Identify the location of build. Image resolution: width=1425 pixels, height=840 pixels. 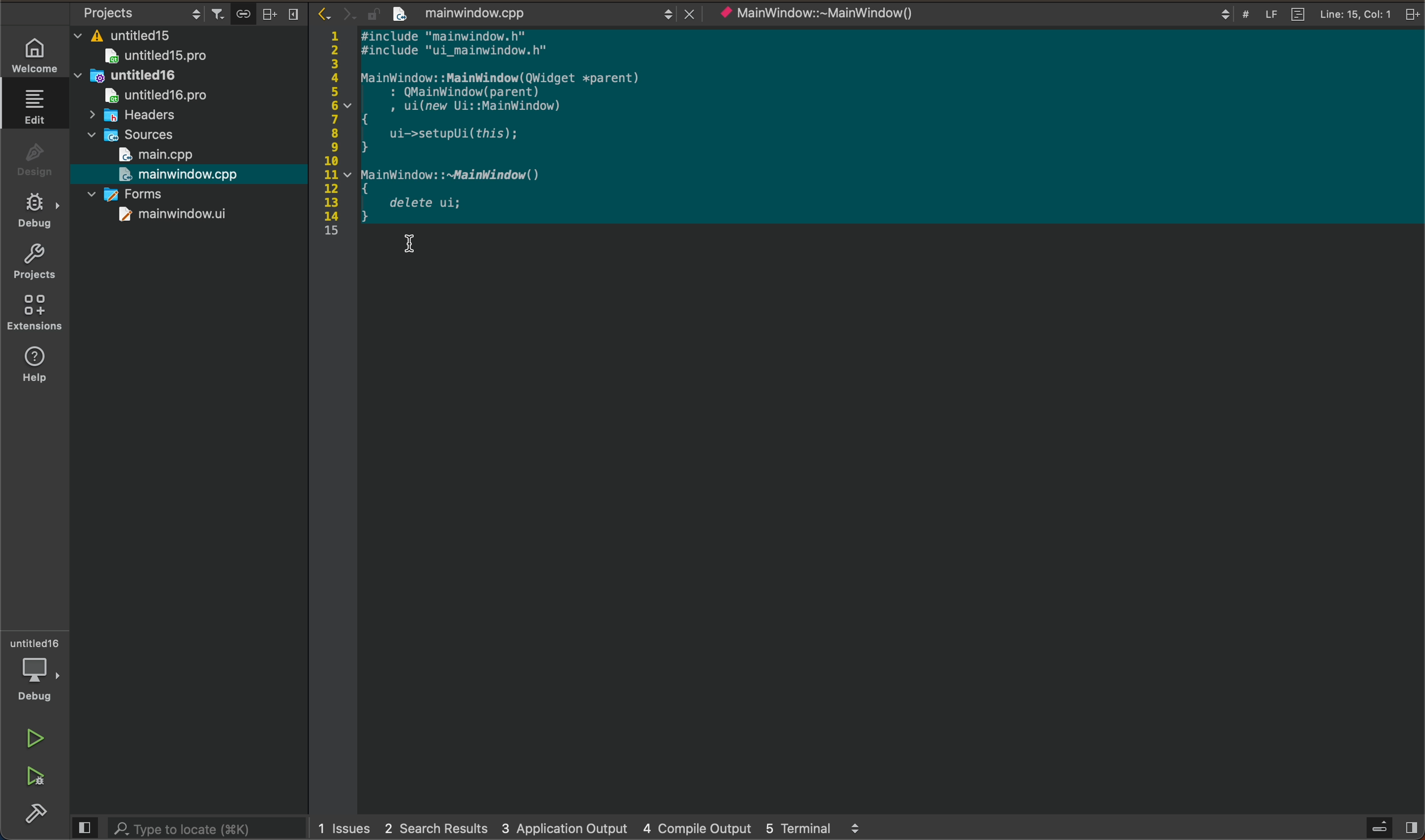
(33, 815).